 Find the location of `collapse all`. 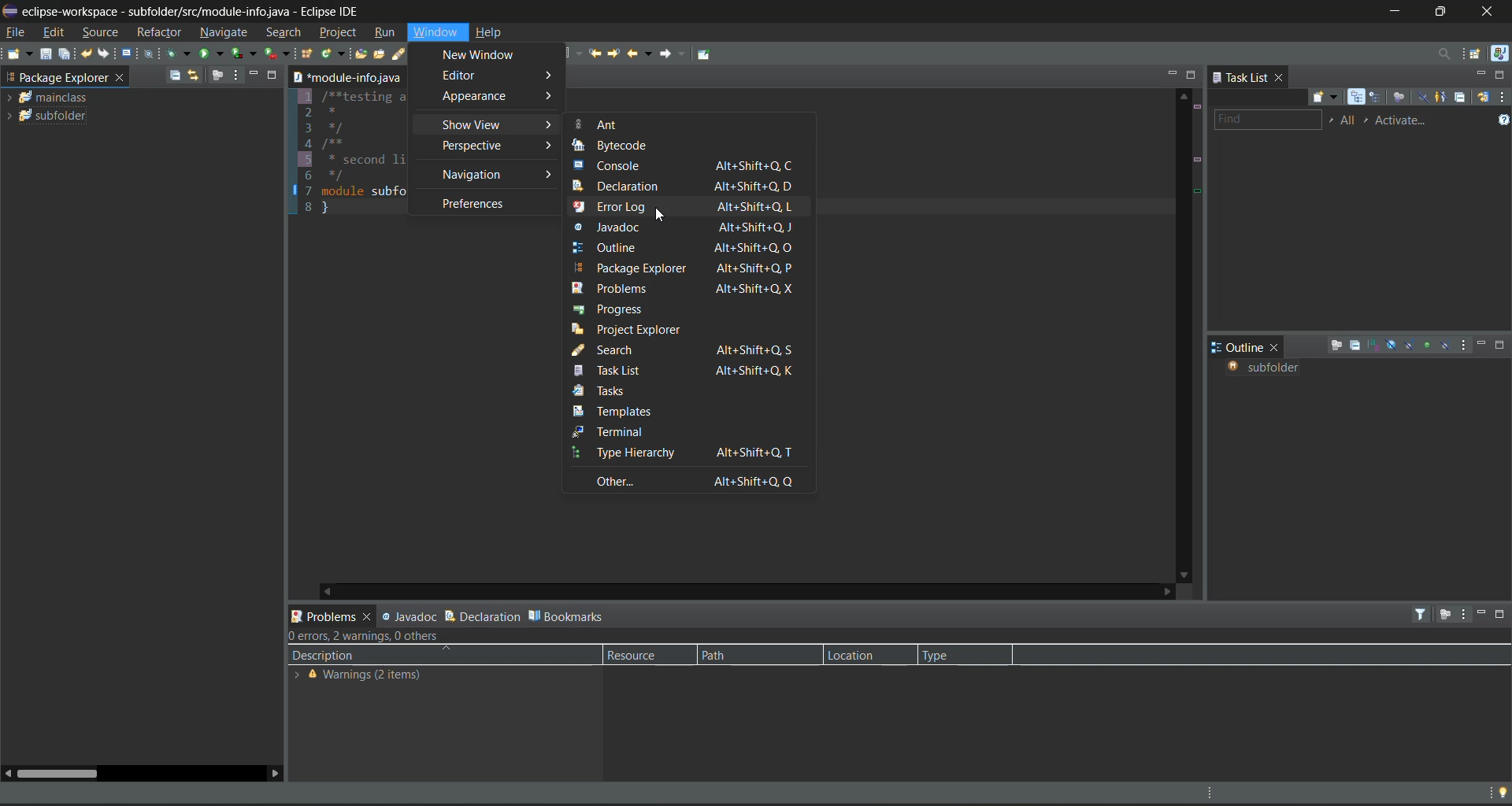

collapse all is located at coordinates (1464, 96).